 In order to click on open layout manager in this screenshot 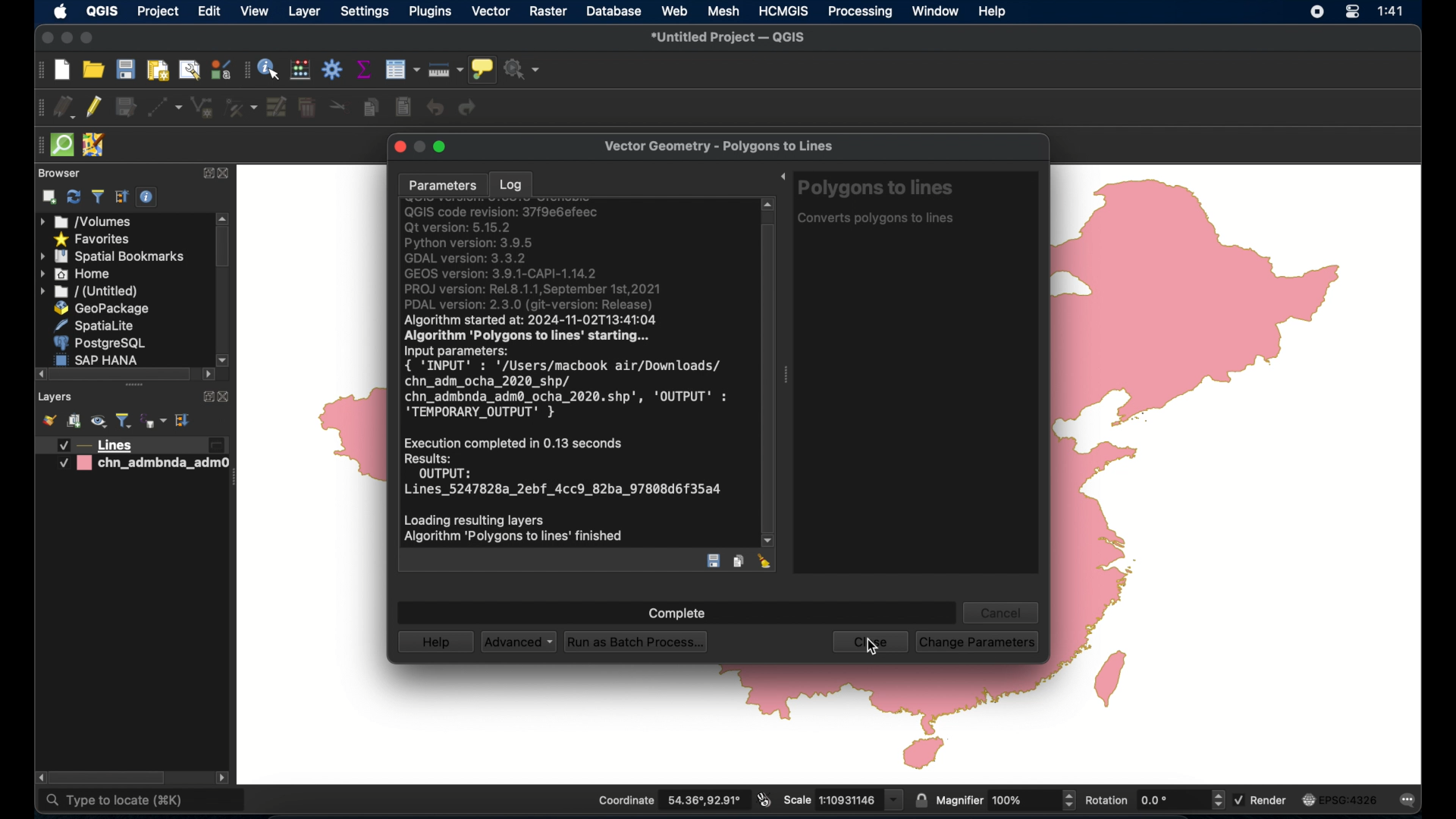, I will do `click(190, 70)`.